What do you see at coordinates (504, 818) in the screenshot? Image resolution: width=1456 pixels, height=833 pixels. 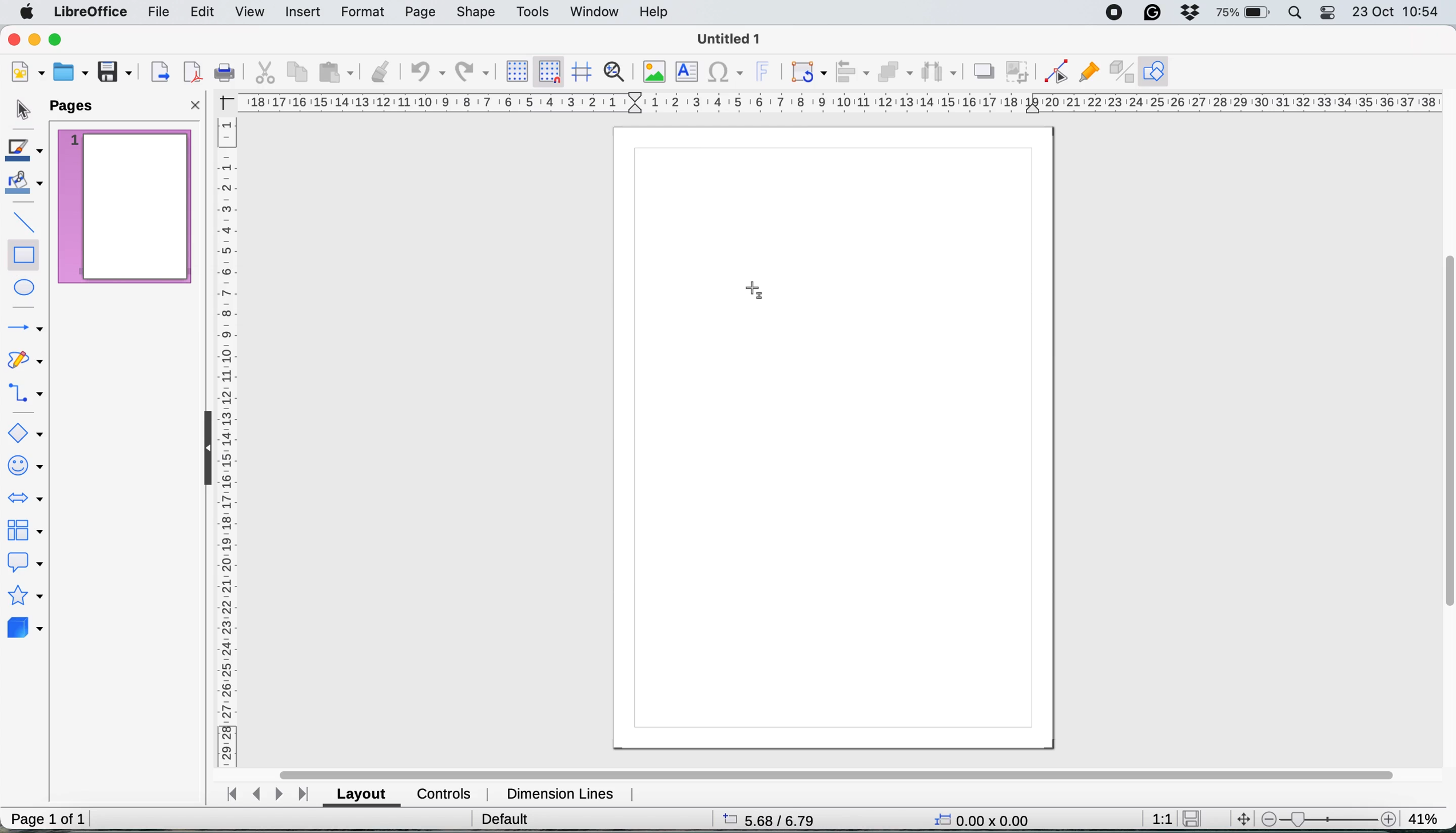 I see `default` at bounding box center [504, 818].